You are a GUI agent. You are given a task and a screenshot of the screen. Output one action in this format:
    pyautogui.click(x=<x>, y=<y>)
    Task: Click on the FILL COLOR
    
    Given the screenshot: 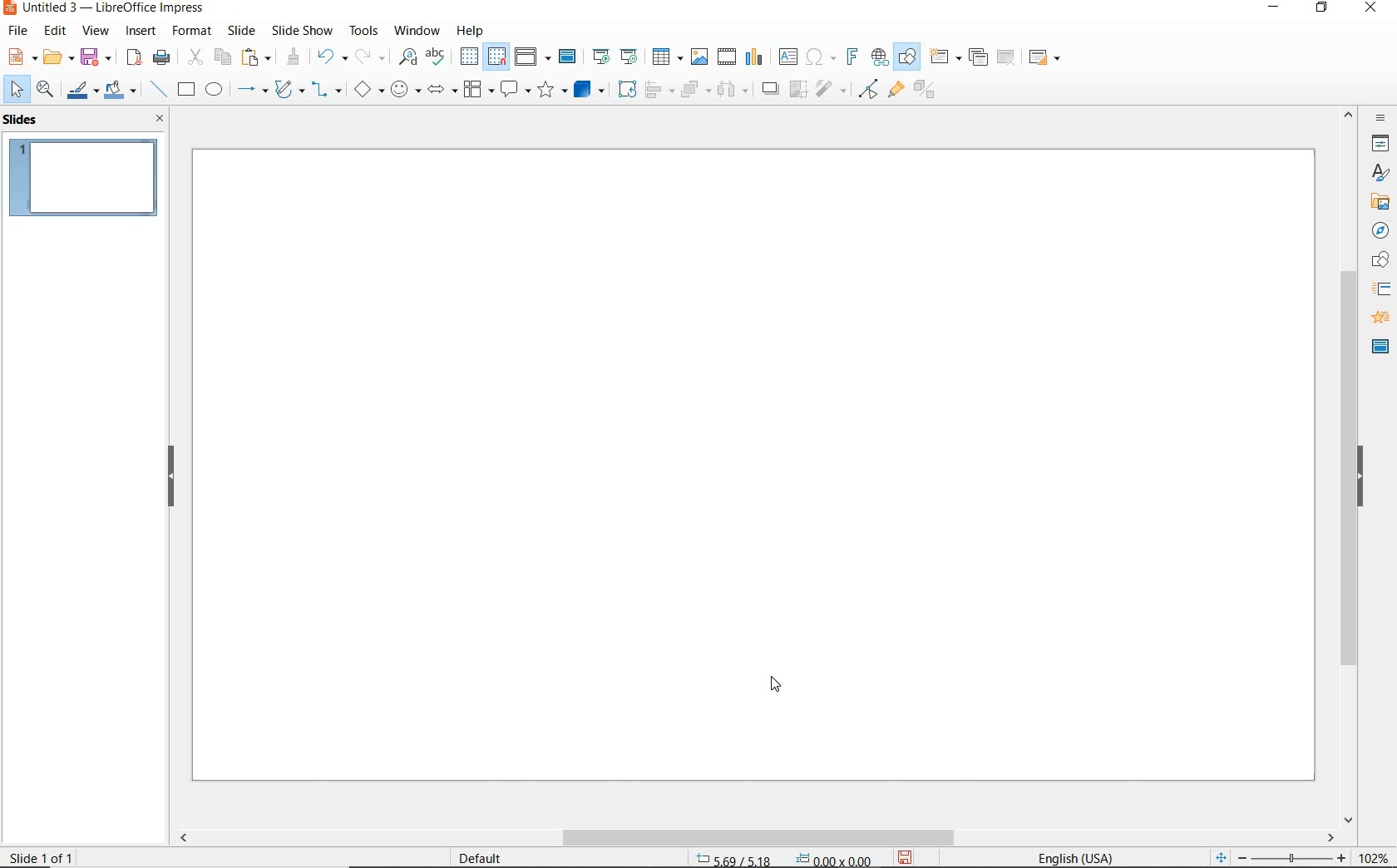 What is the action you would take?
    pyautogui.click(x=120, y=91)
    